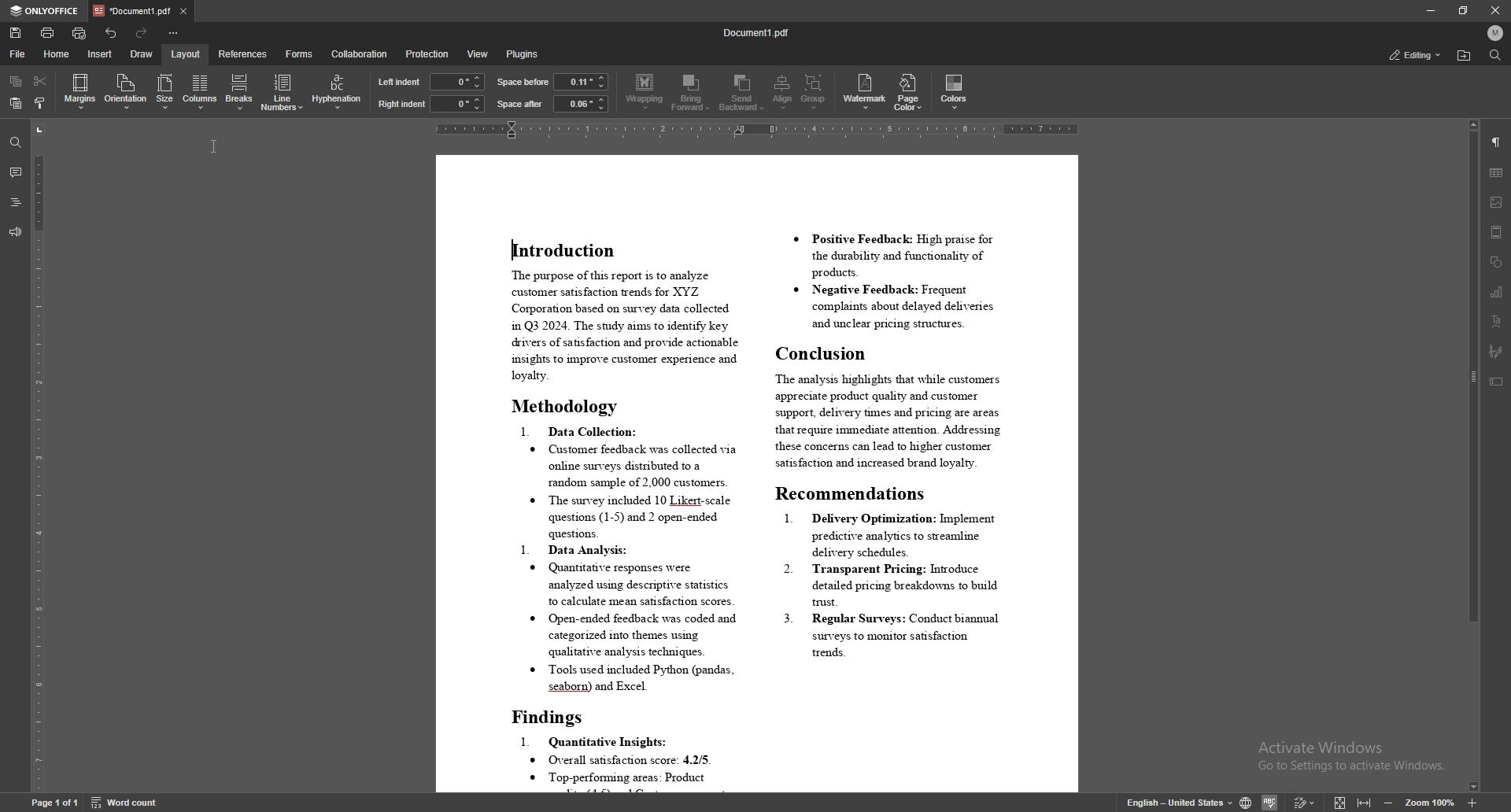 The width and height of the screenshot is (1511, 812). What do you see at coordinates (1245, 800) in the screenshot?
I see `change doc language` at bounding box center [1245, 800].